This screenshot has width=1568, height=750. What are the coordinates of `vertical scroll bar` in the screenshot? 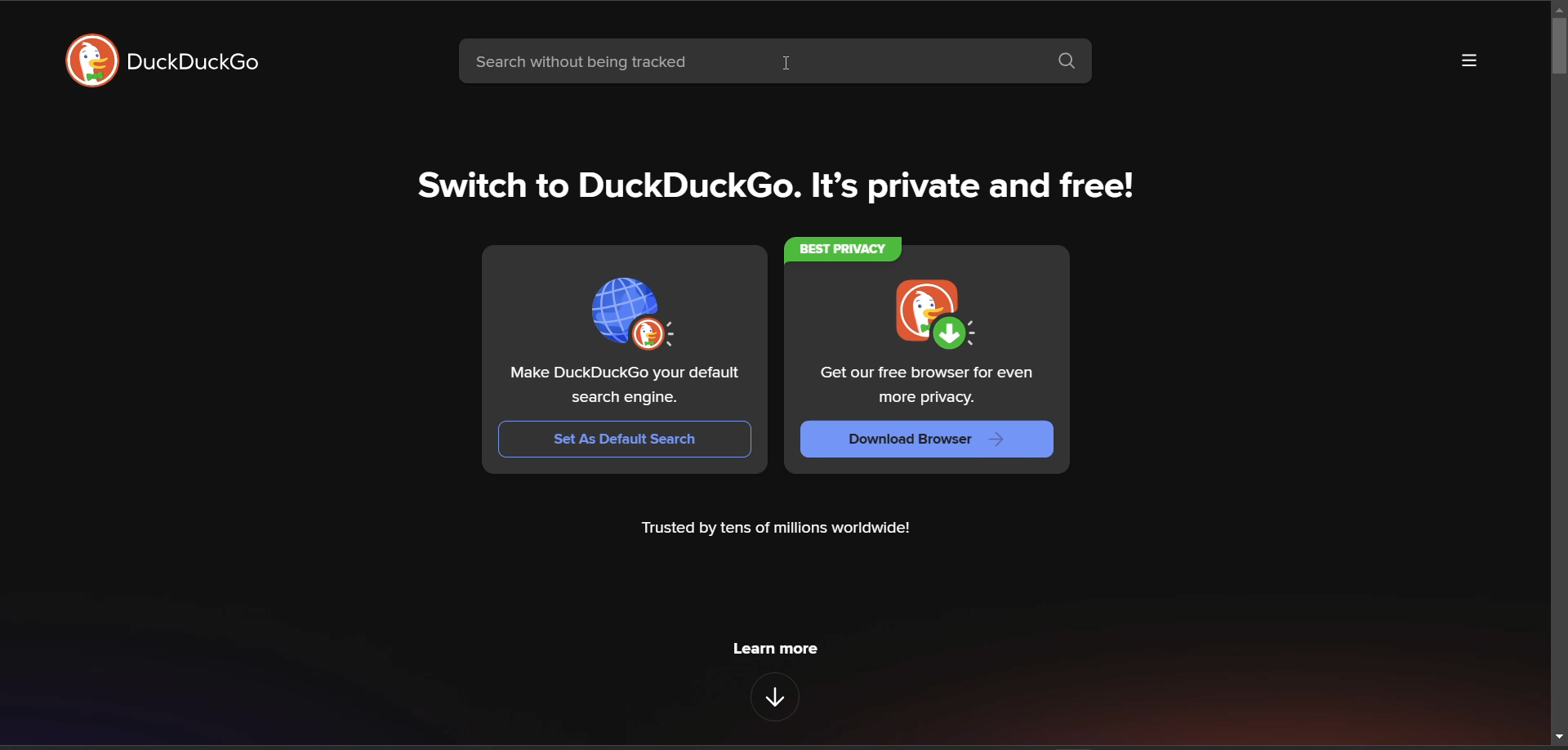 It's located at (1557, 49).